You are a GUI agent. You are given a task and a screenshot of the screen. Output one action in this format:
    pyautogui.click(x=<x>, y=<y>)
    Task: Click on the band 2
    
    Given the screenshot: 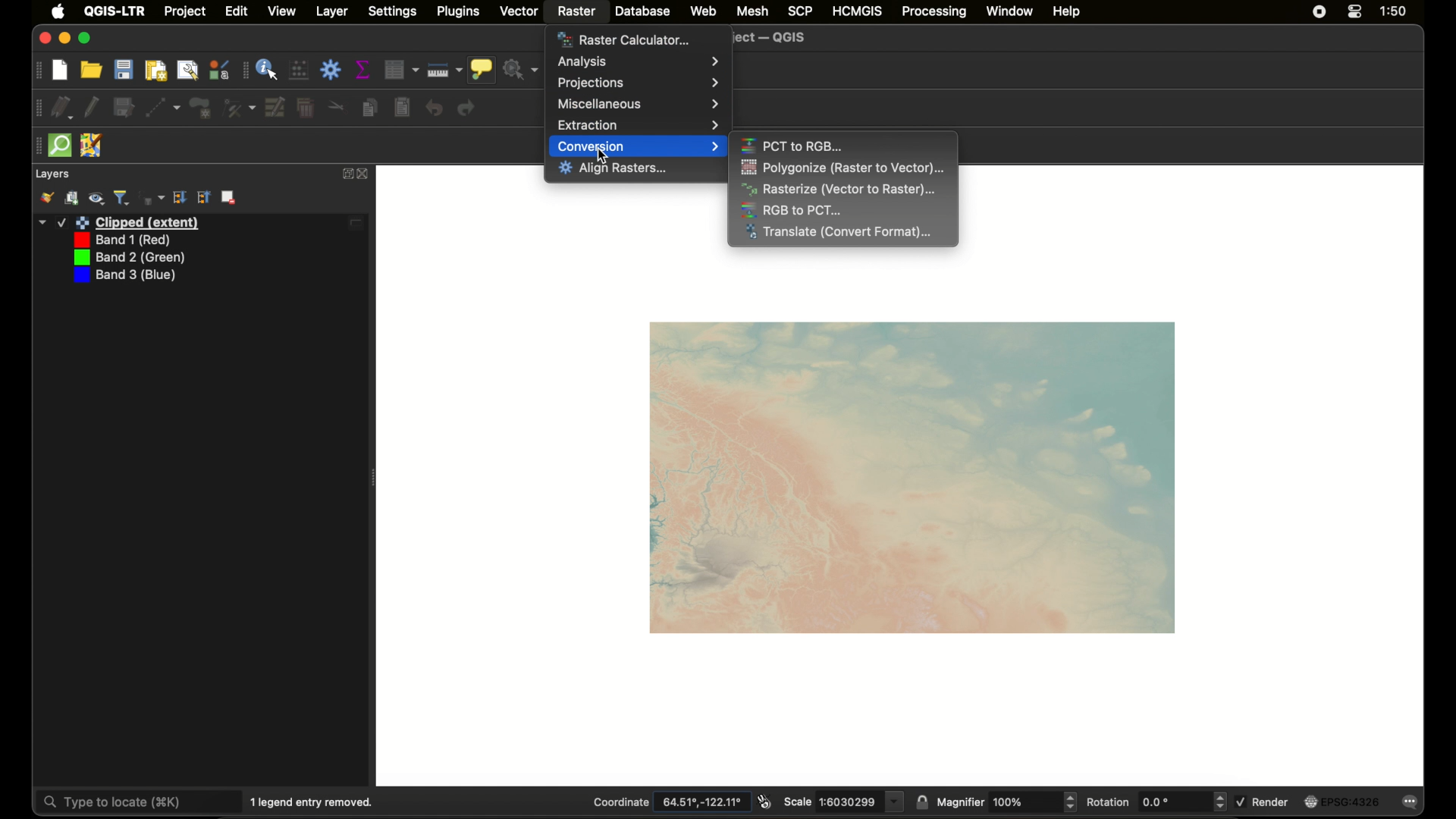 What is the action you would take?
    pyautogui.click(x=127, y=258)
    